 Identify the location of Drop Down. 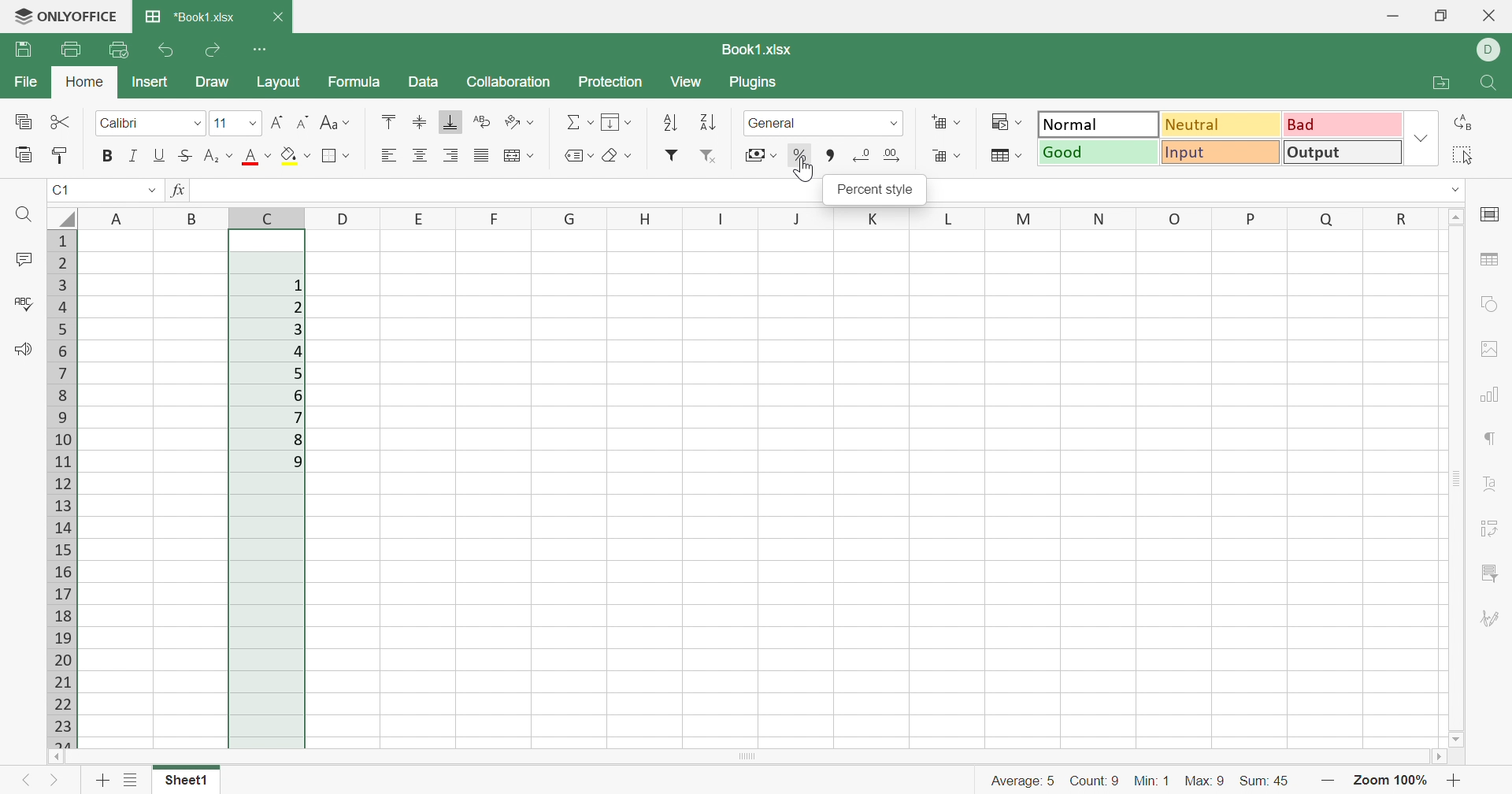
(195, 124).